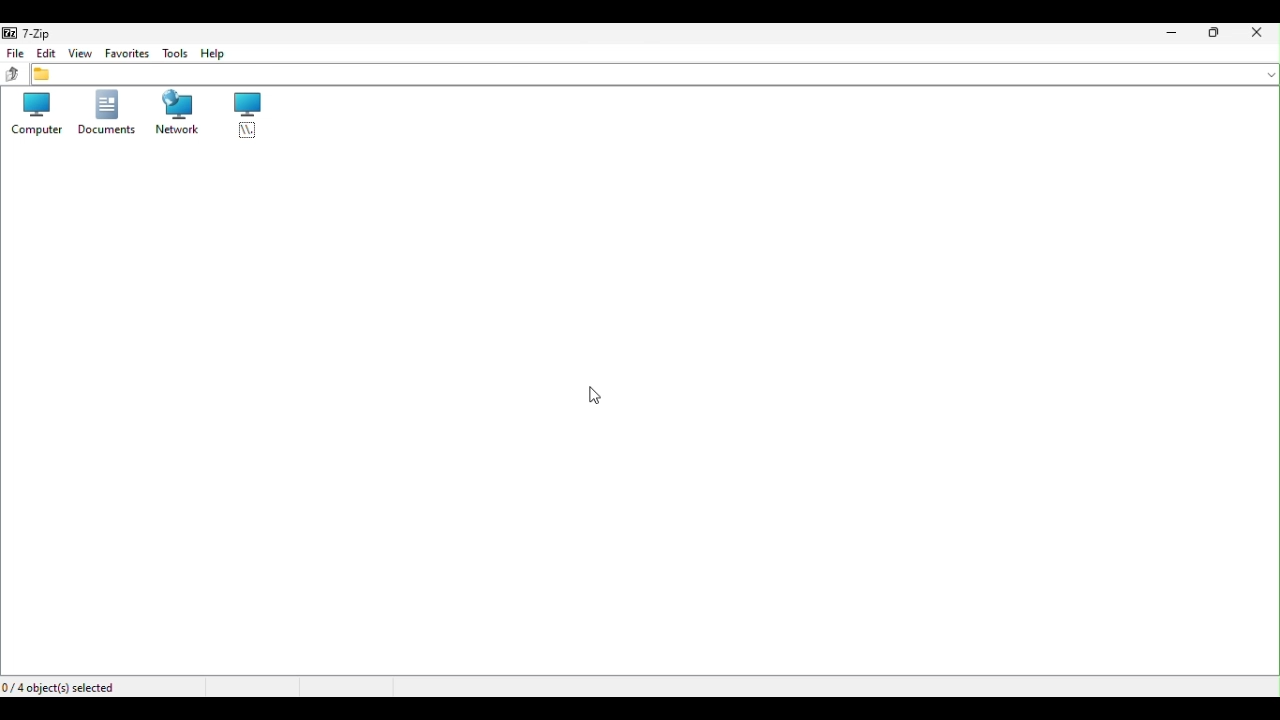 The height and width of the screenshot is (720, 1280). Describe the element at coordinates (48, 54) in the screenshot. I see `edit` at that location.